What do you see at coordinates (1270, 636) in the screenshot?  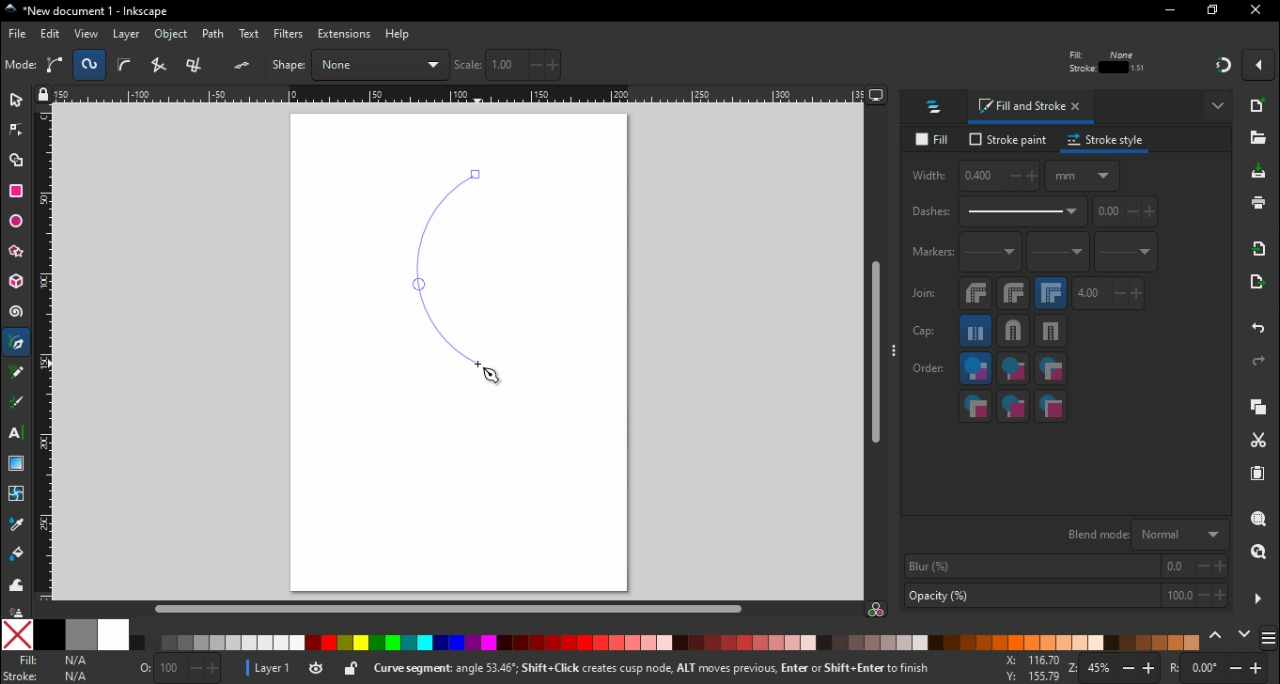 I see `color palettes` at bounding box center [1270, 636].